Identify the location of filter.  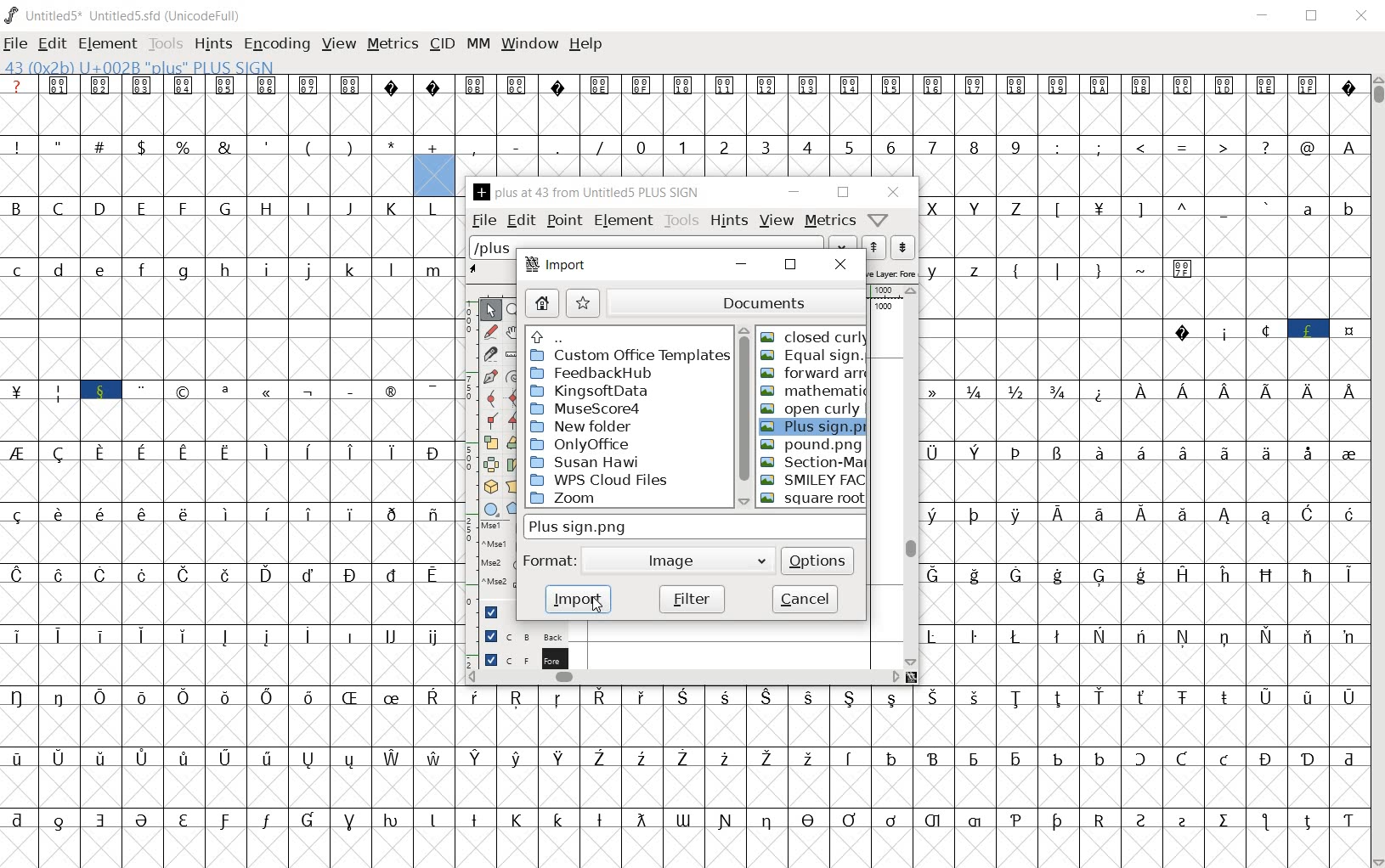
(691, 600).